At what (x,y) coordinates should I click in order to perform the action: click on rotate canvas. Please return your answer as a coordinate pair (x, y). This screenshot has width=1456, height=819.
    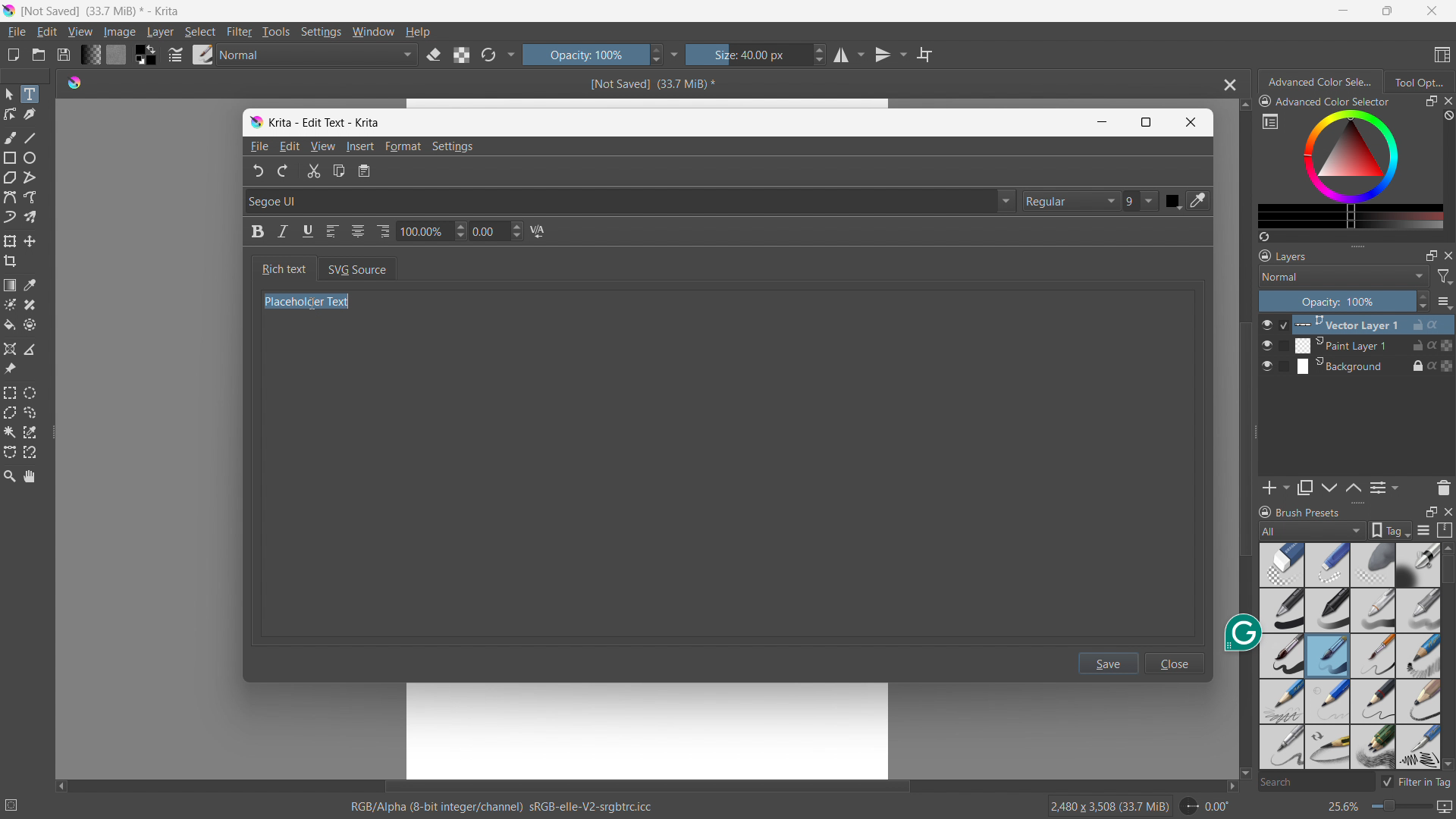
    Looking at the image, I should click on (1206, 806).